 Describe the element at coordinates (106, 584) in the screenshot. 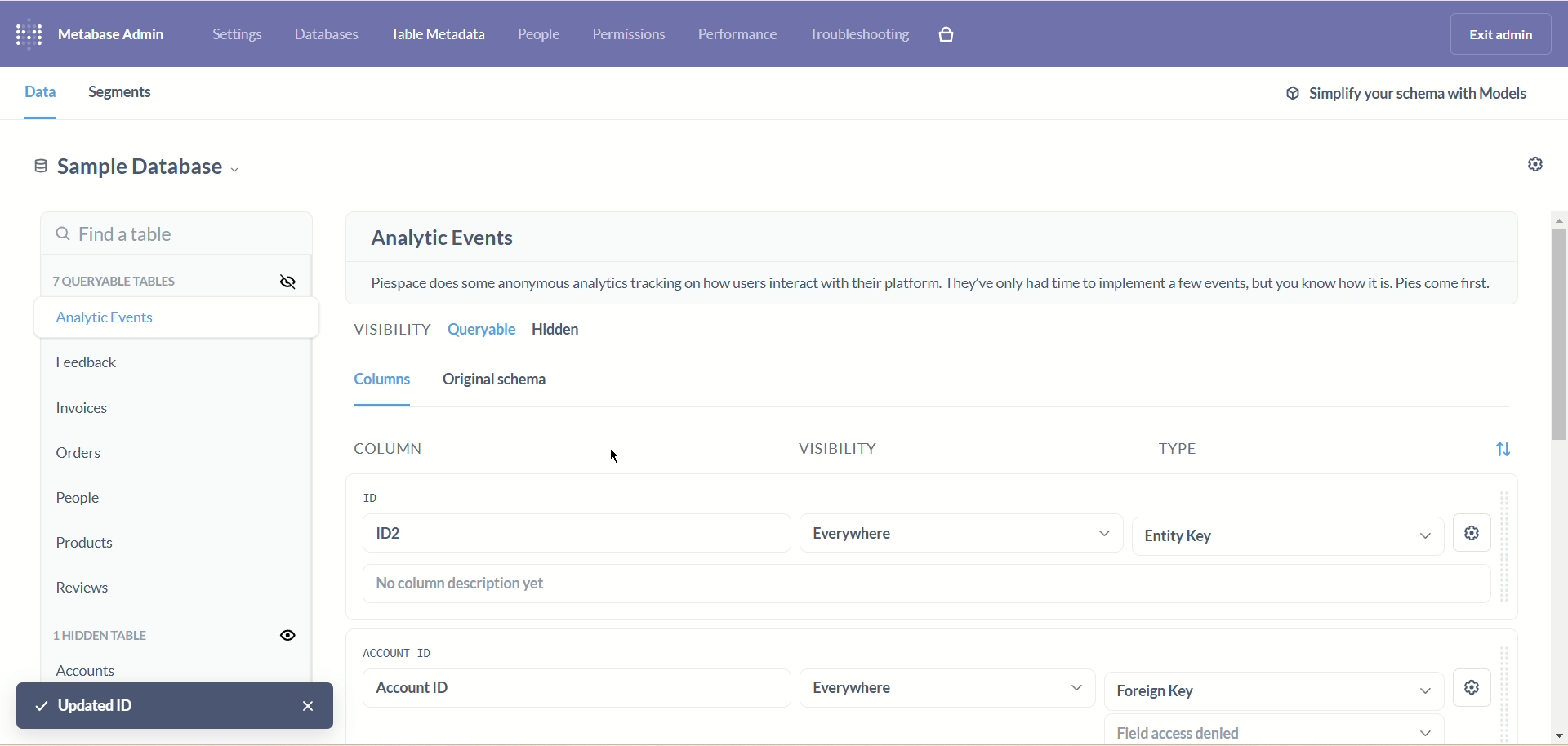

I see `Reviews` at that location.